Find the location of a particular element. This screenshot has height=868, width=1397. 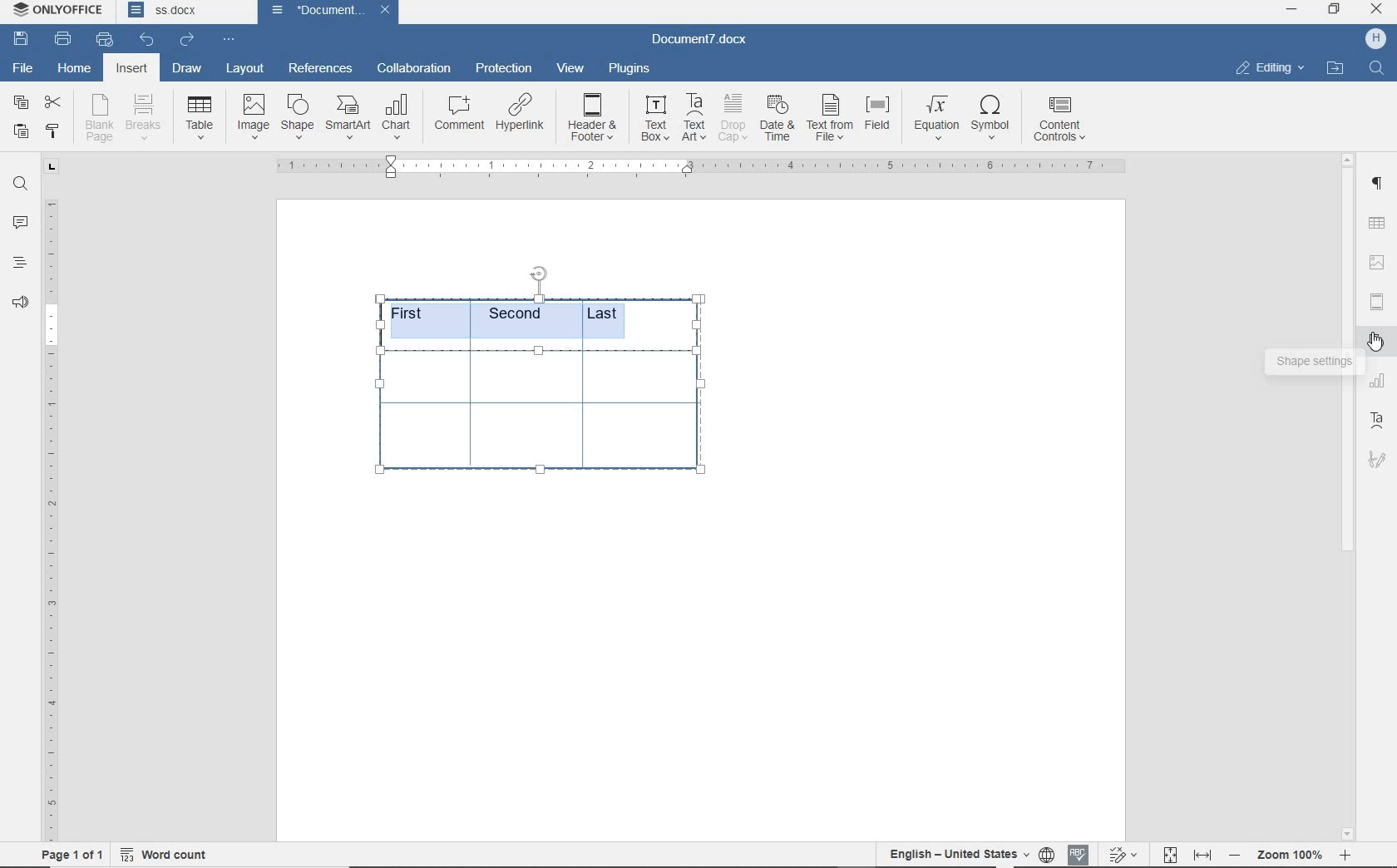

file is located at coordinates (22, 67).